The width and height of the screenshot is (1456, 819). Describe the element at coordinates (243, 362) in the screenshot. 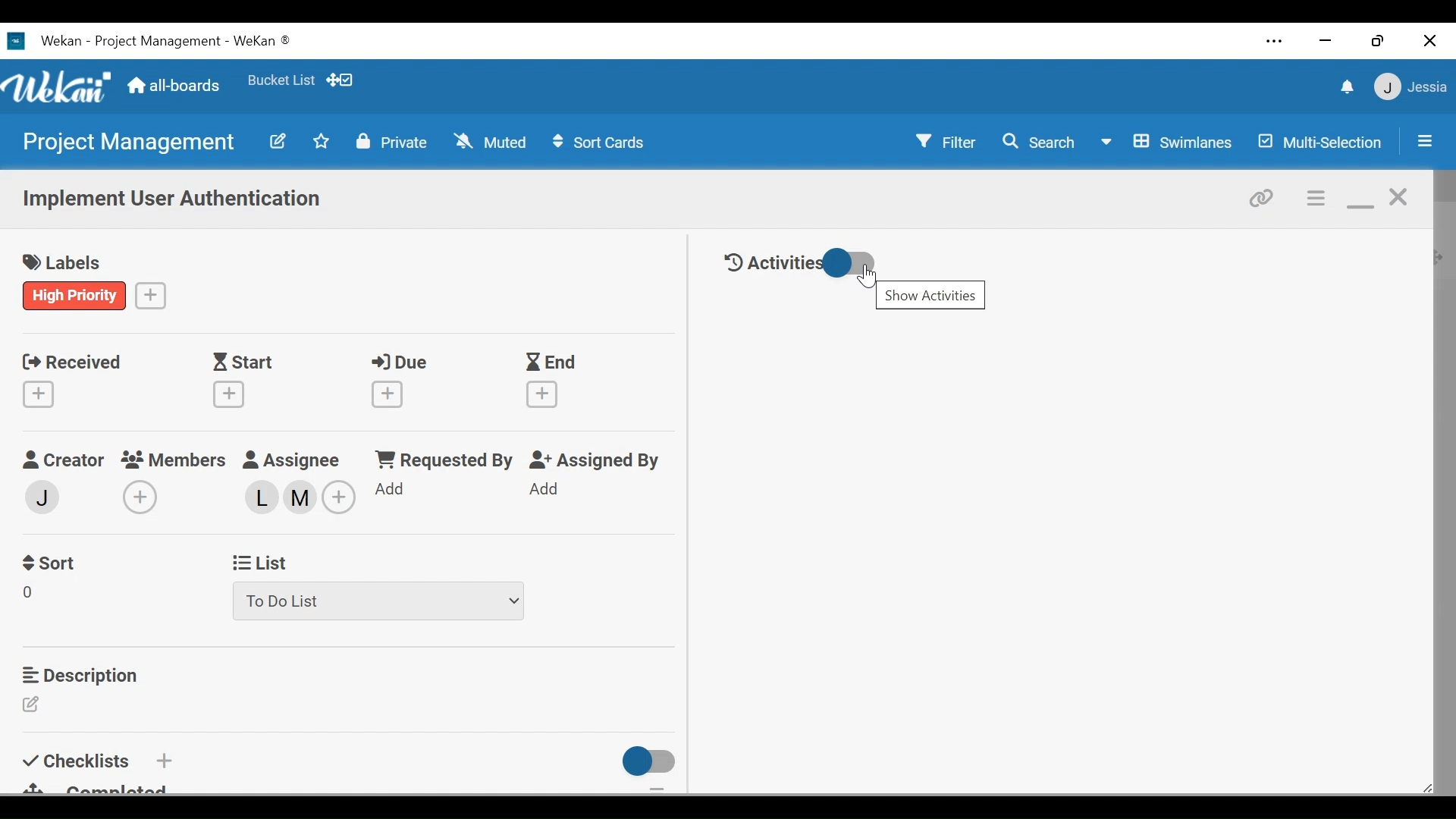

I see `Start Date` at that location.